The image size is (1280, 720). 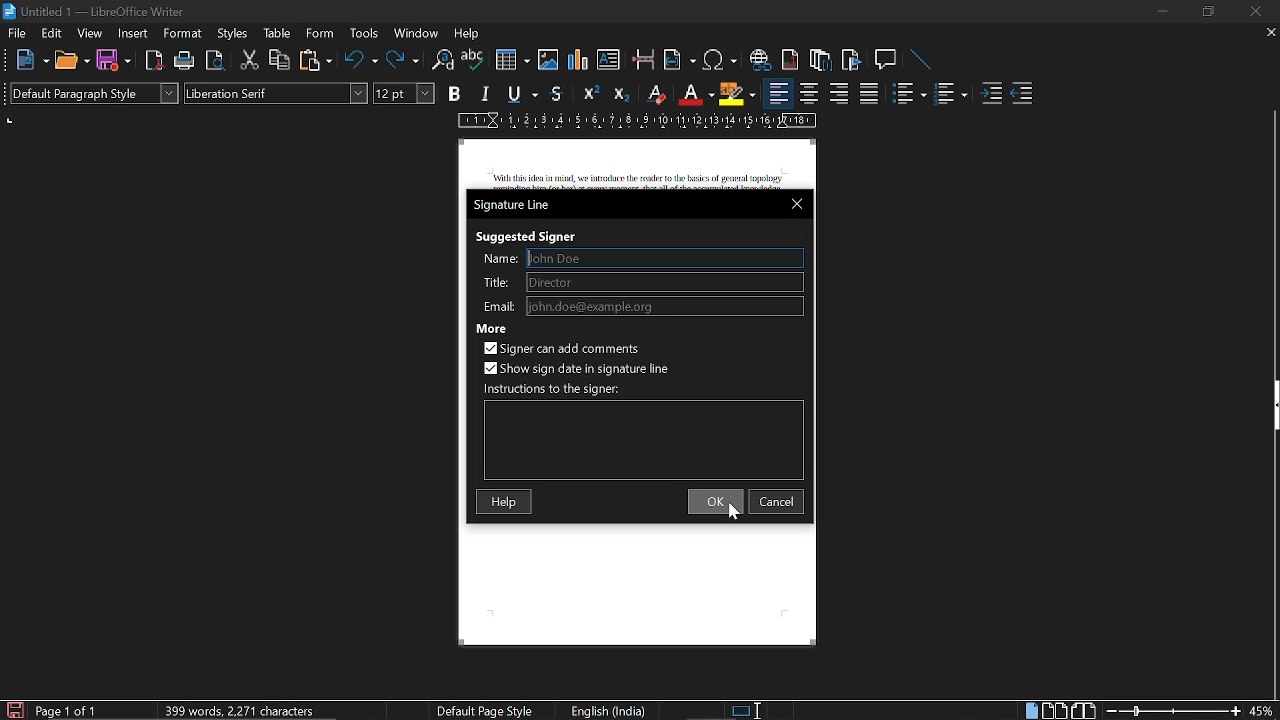 I want to click on format, so click(x=183, y=34).